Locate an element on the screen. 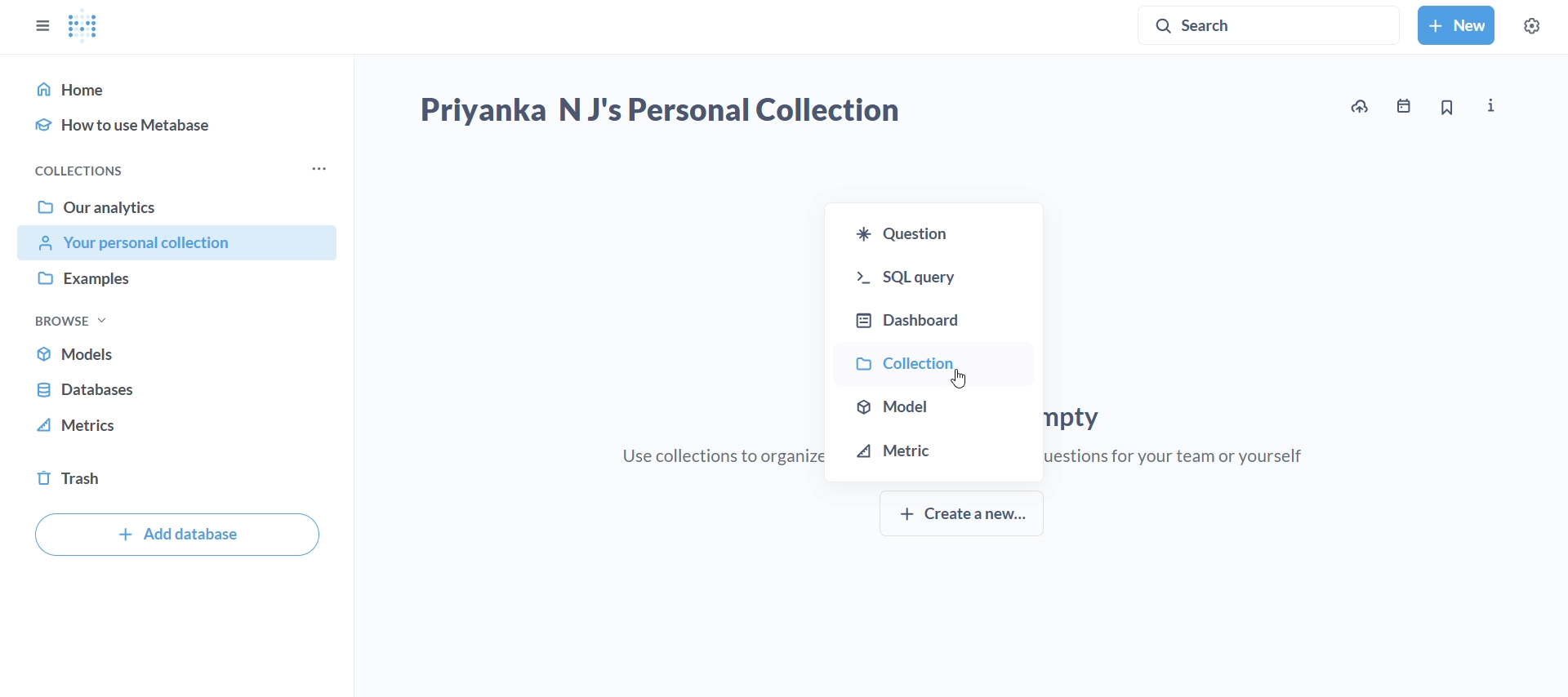  model is located at coordinates (933, 404).